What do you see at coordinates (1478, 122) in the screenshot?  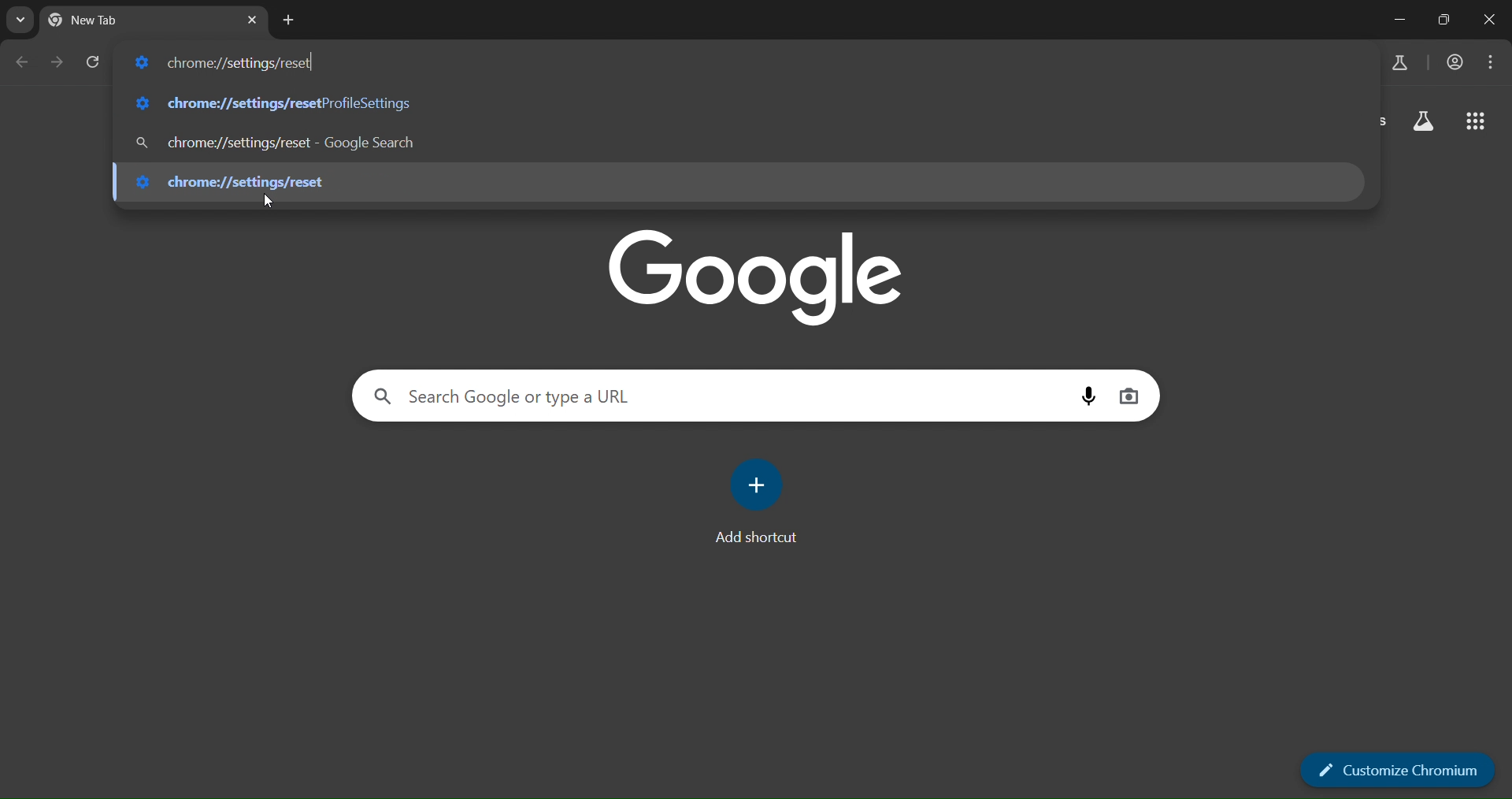 I see `google apps` at bounding box center [1478, 122].